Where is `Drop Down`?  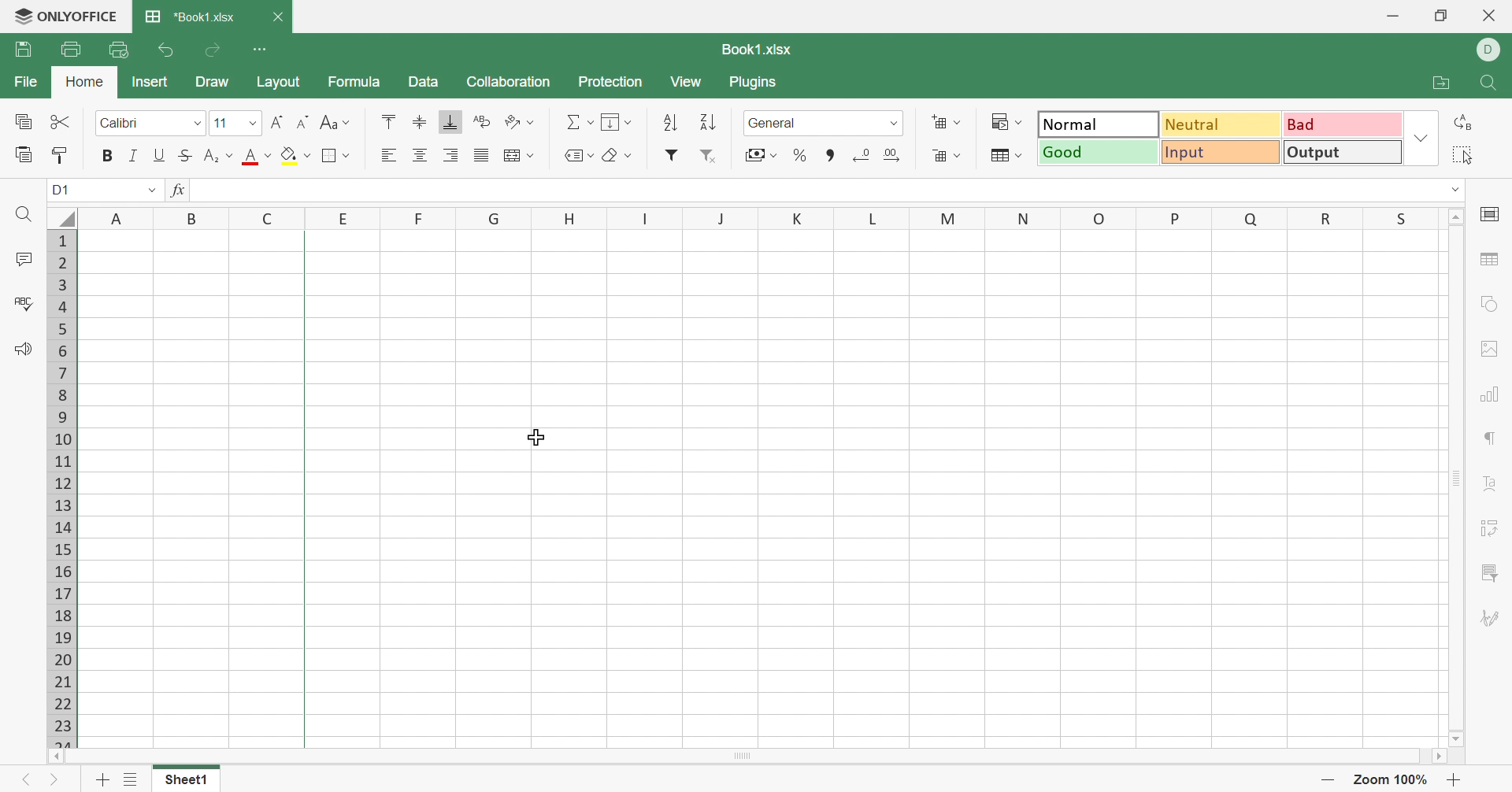 Drop Down is located at coordinates (958, 123).